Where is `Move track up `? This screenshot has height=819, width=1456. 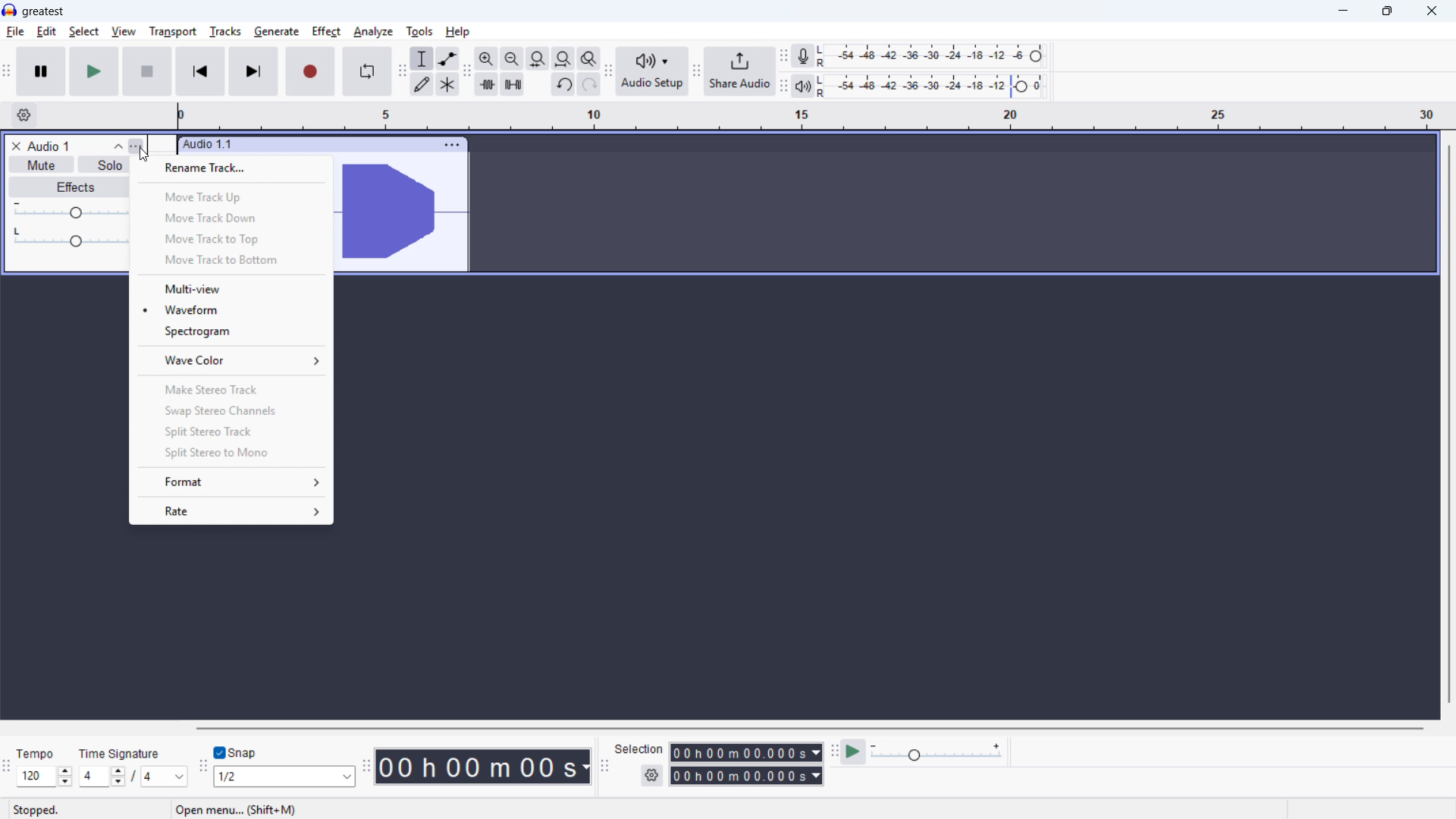
Move track up  is located at coordinates (233, 196).